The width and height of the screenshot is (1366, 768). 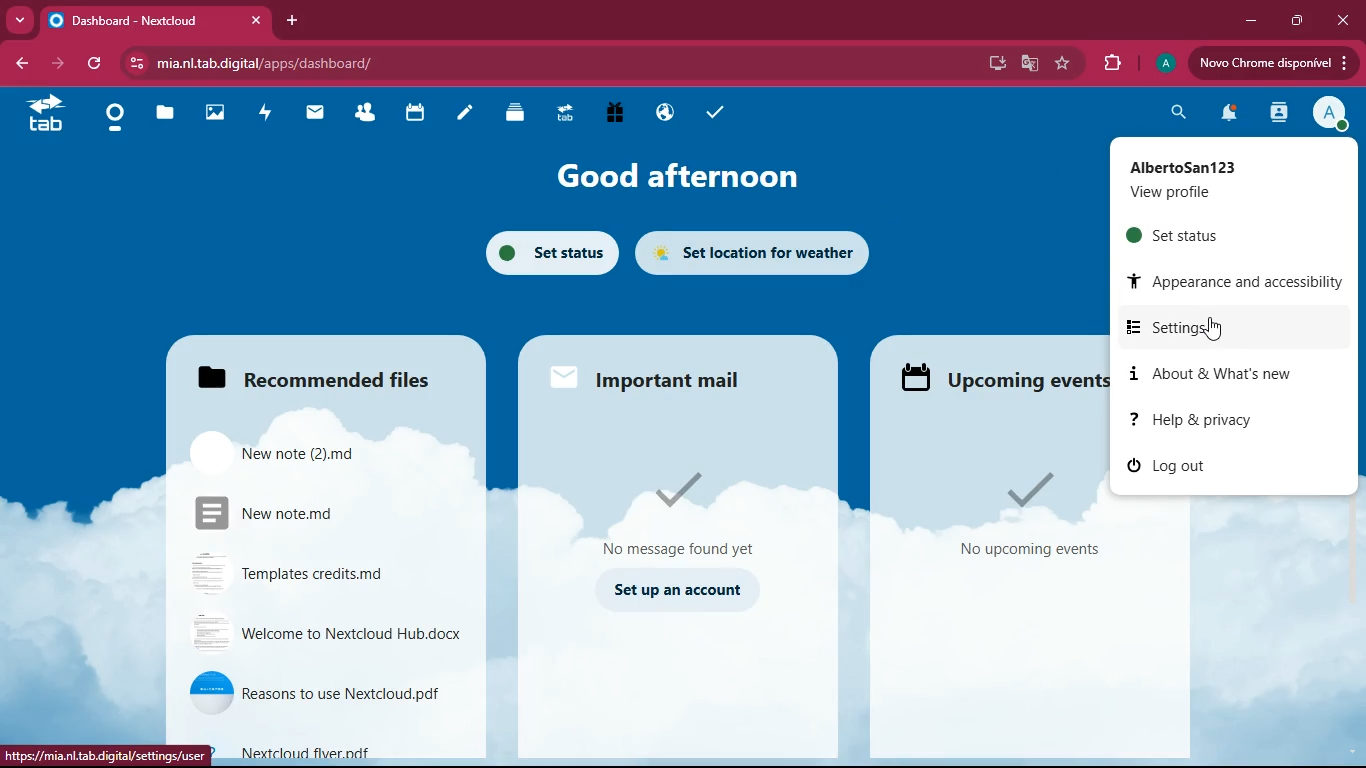 What do you see at coordinates (663, 116) in the screenshot?
I see `public` at bounding box center [663, 116].